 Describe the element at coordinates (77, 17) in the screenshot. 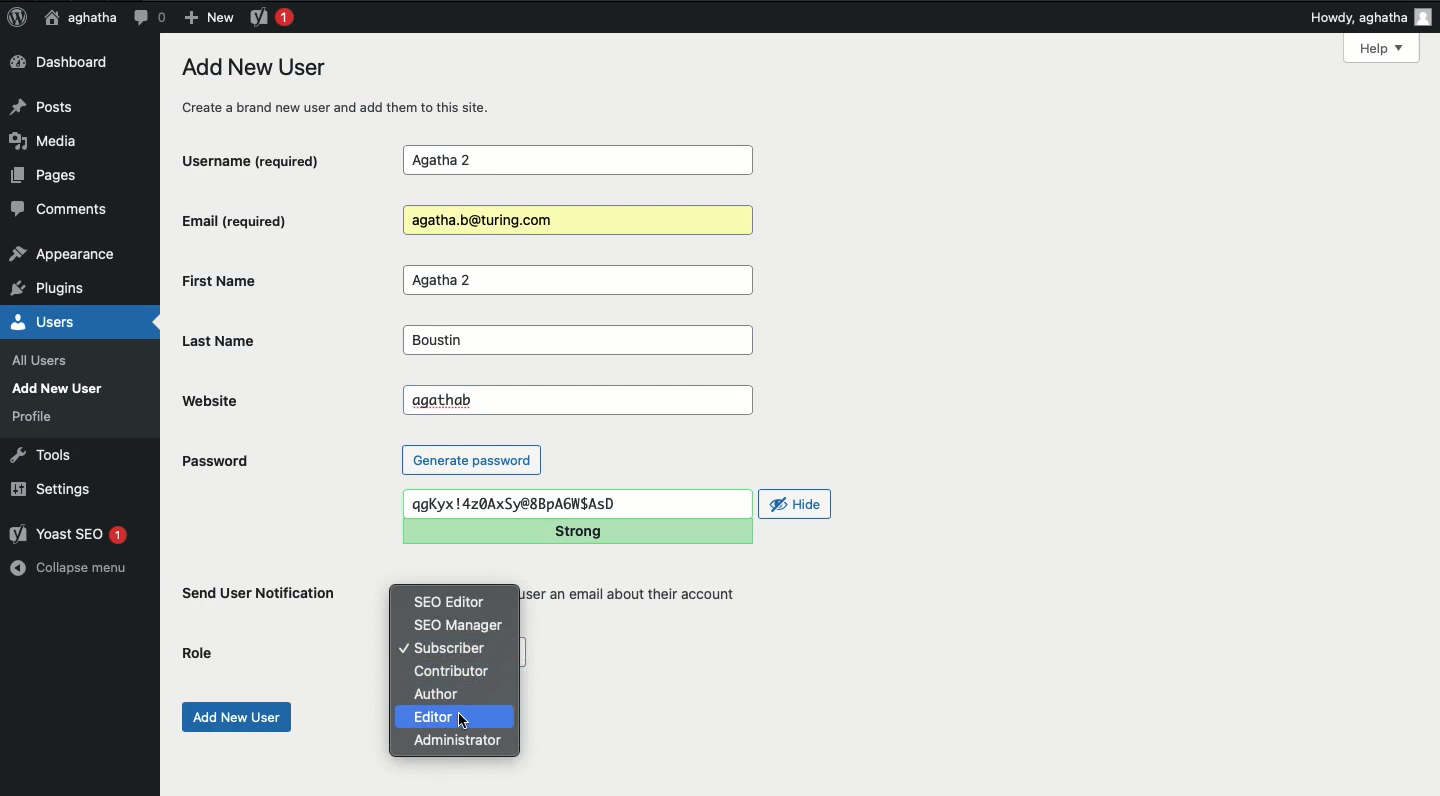

I see `aghatha` at that location.